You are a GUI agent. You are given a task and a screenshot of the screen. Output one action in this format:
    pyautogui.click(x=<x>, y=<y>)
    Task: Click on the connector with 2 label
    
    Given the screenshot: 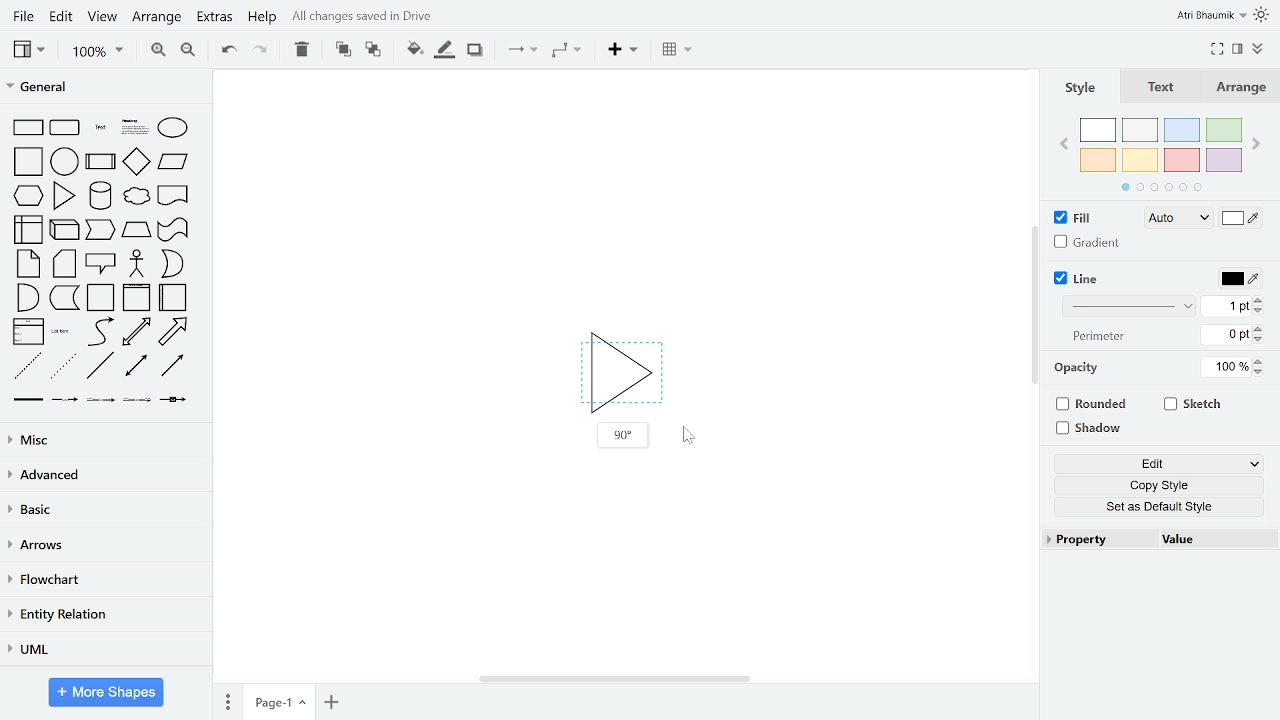 What is the action you would take?
    pyautogui.click(x=101, y=402)
    